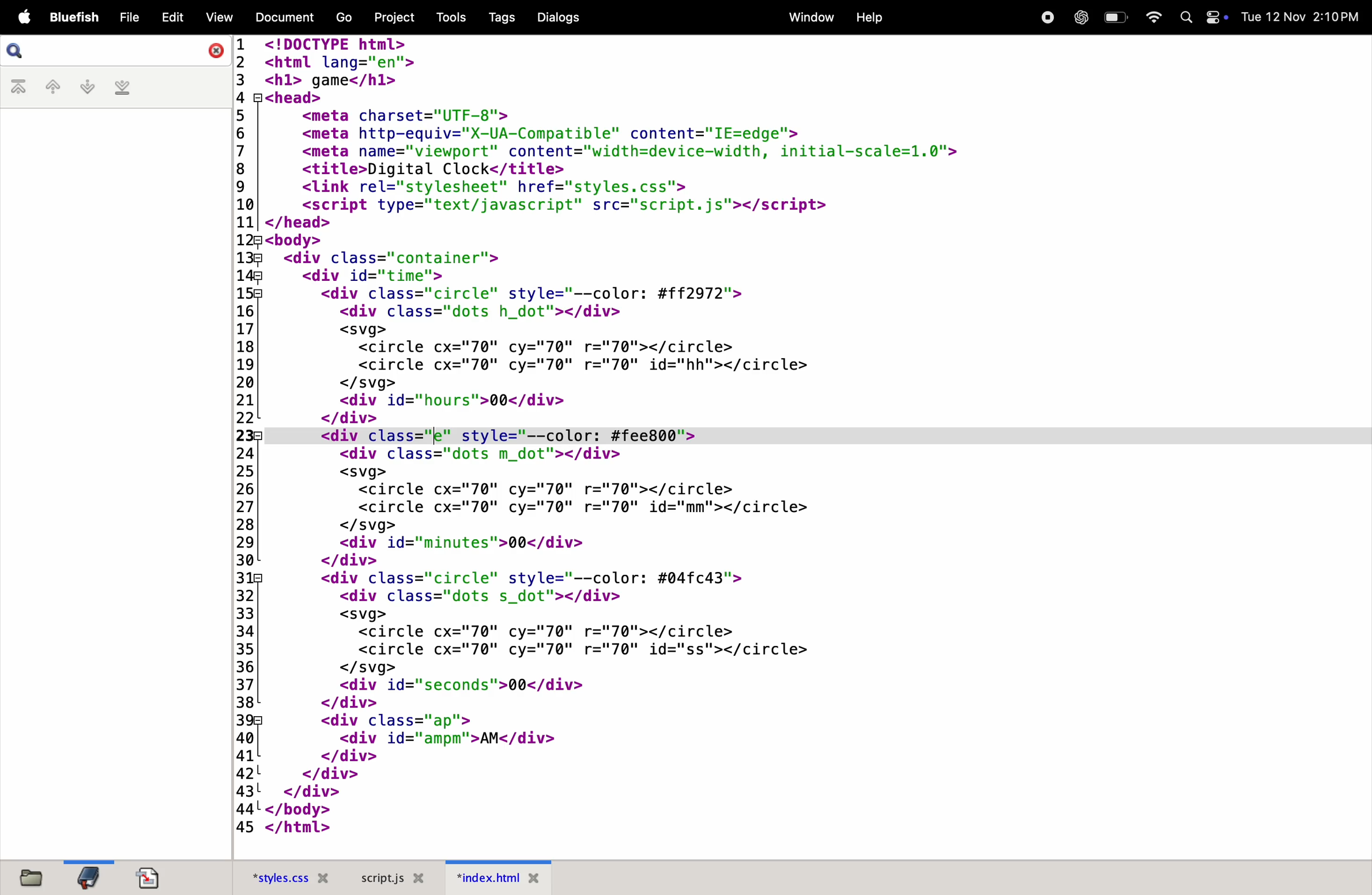 The width and height of the screenshot is (1372, 895). What do you see at coordinates (24, 17) in the screenshot?
I see `apple menu` at bounding box center [24, 17].